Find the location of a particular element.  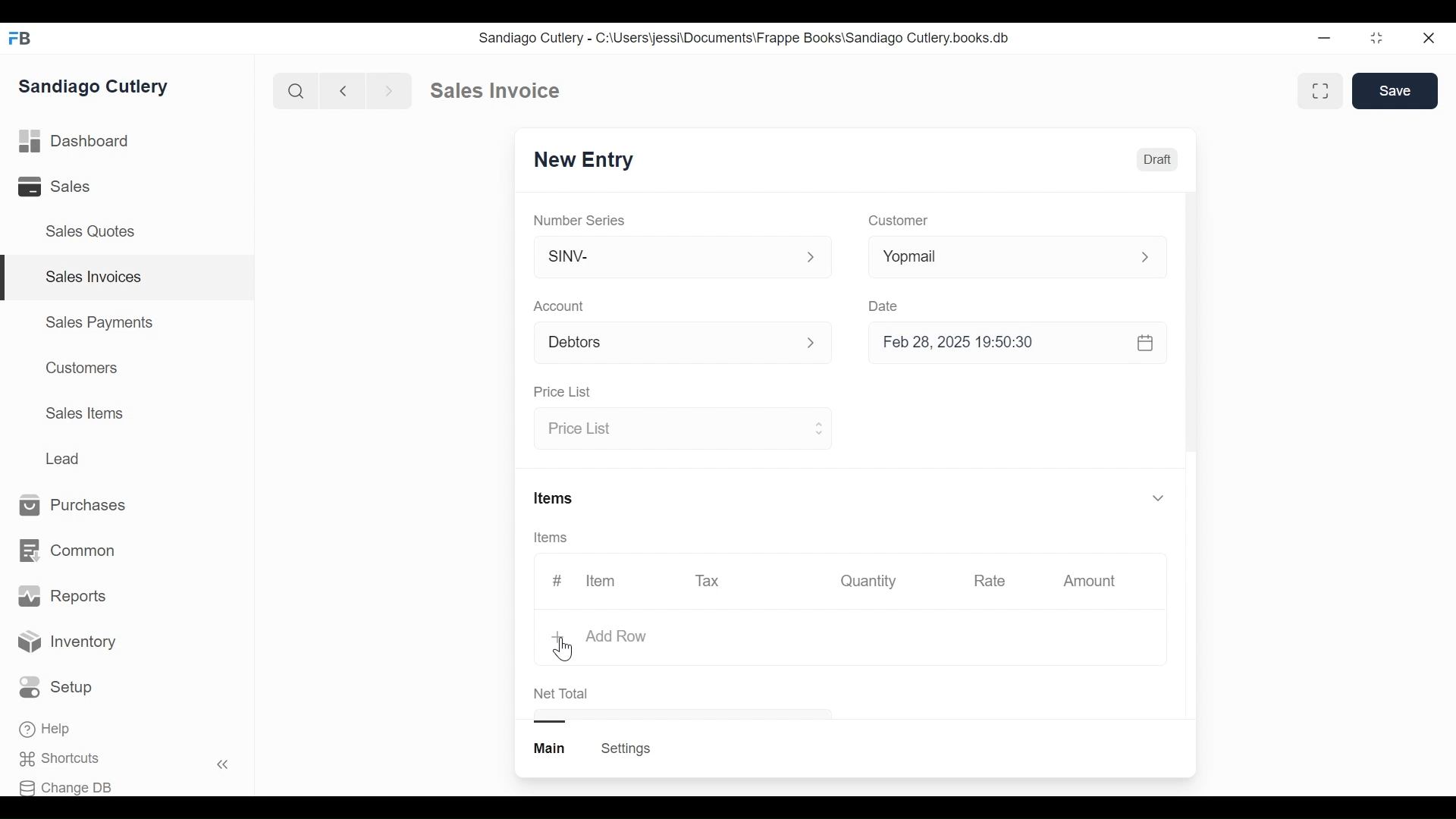

Sales Items is located at coordinates (84, 412).